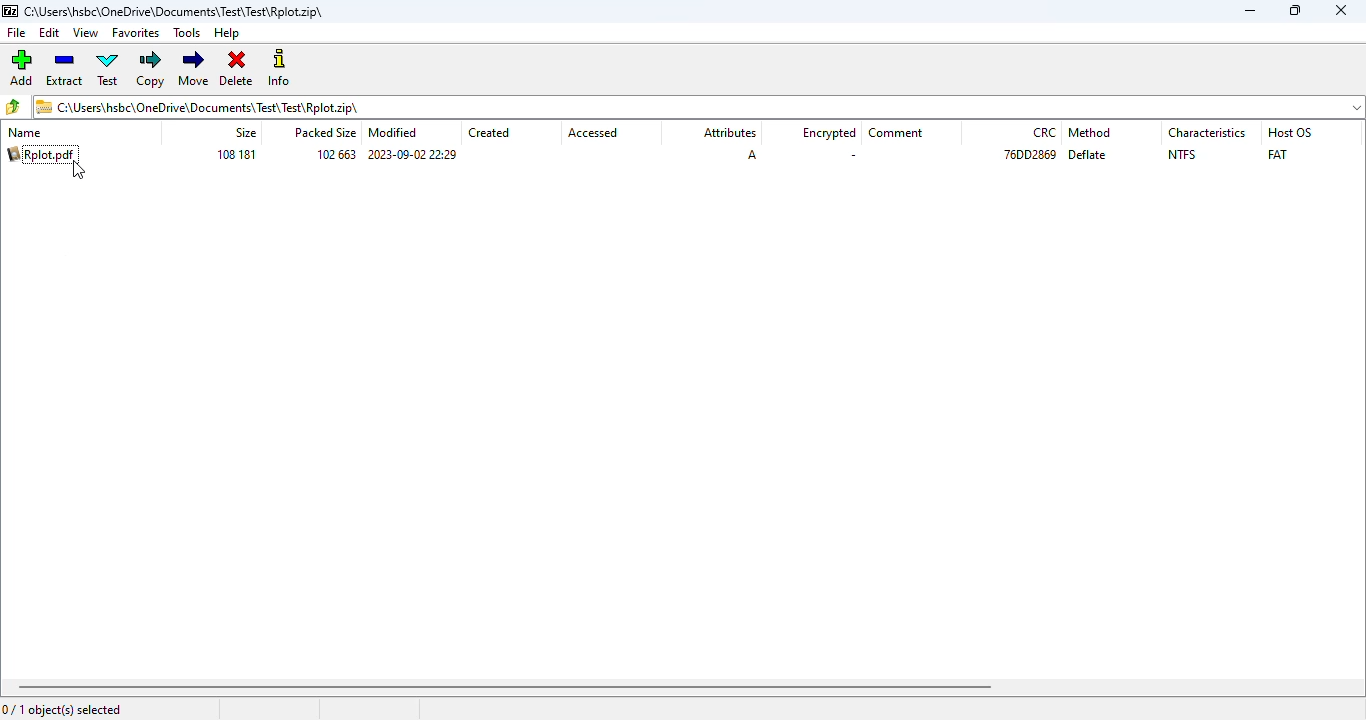  I want to click on 0/1 object(s) selected, so click(62, 709).